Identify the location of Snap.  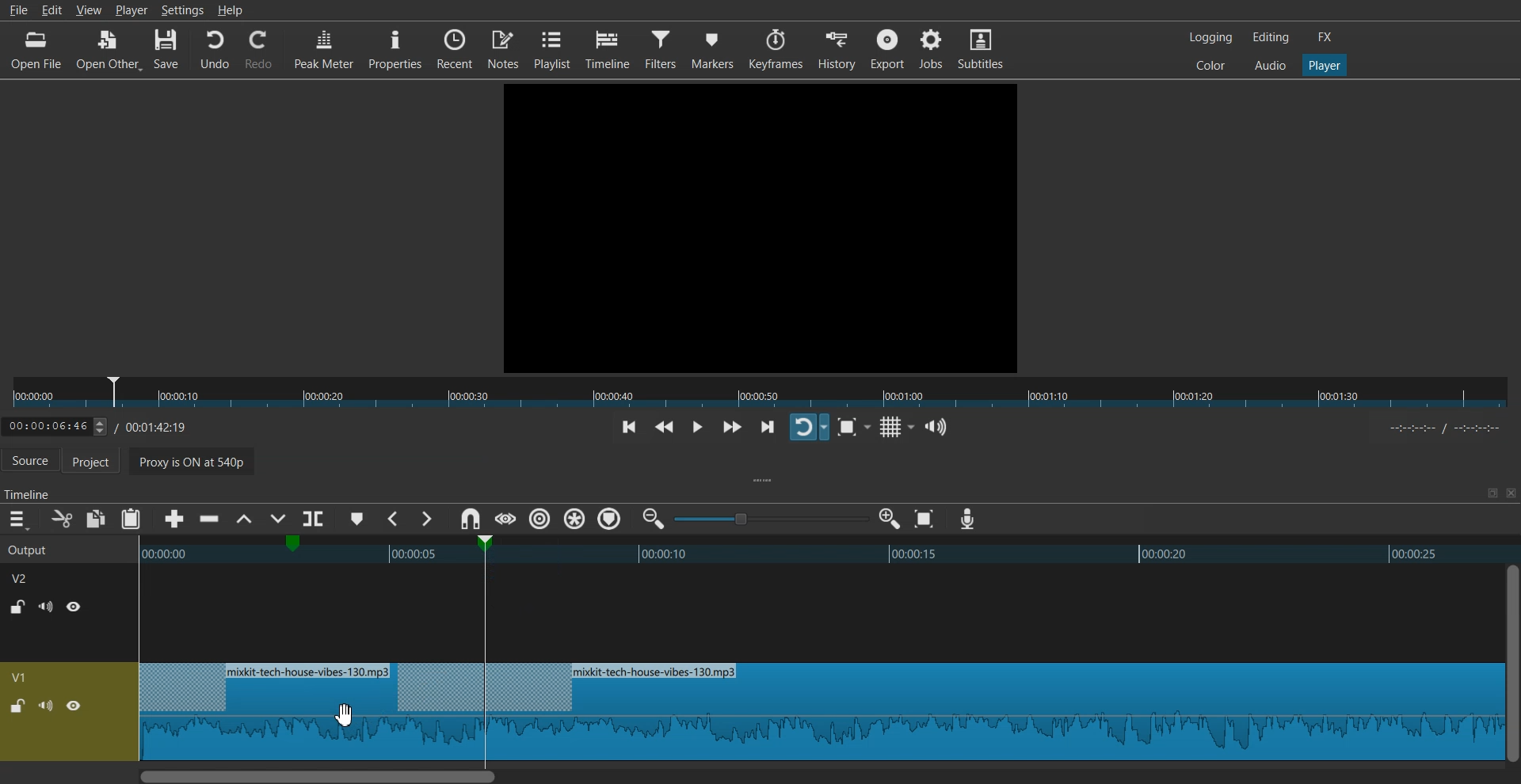
(470, 519).